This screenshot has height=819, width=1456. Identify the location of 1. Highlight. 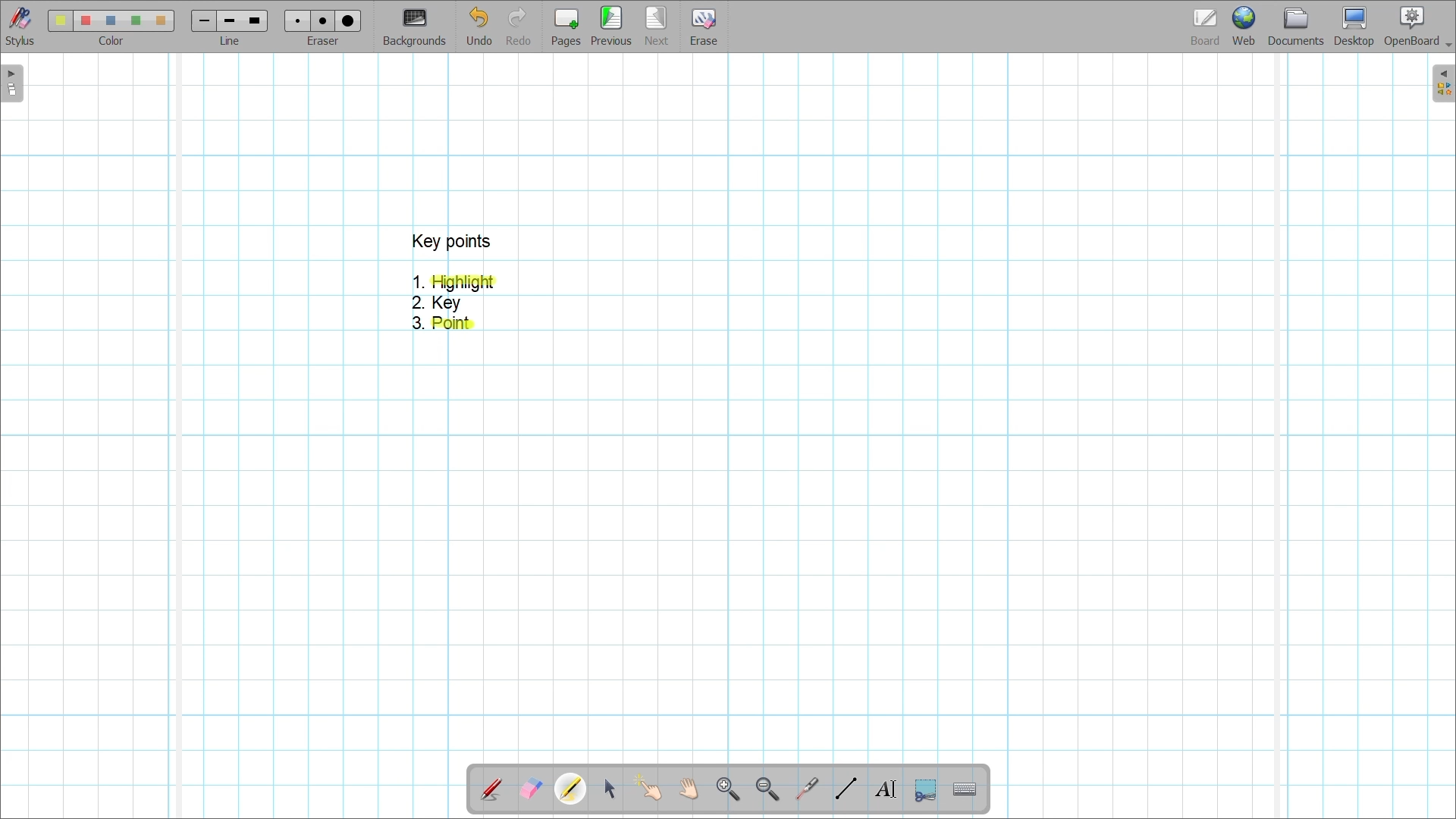
(457, 283).